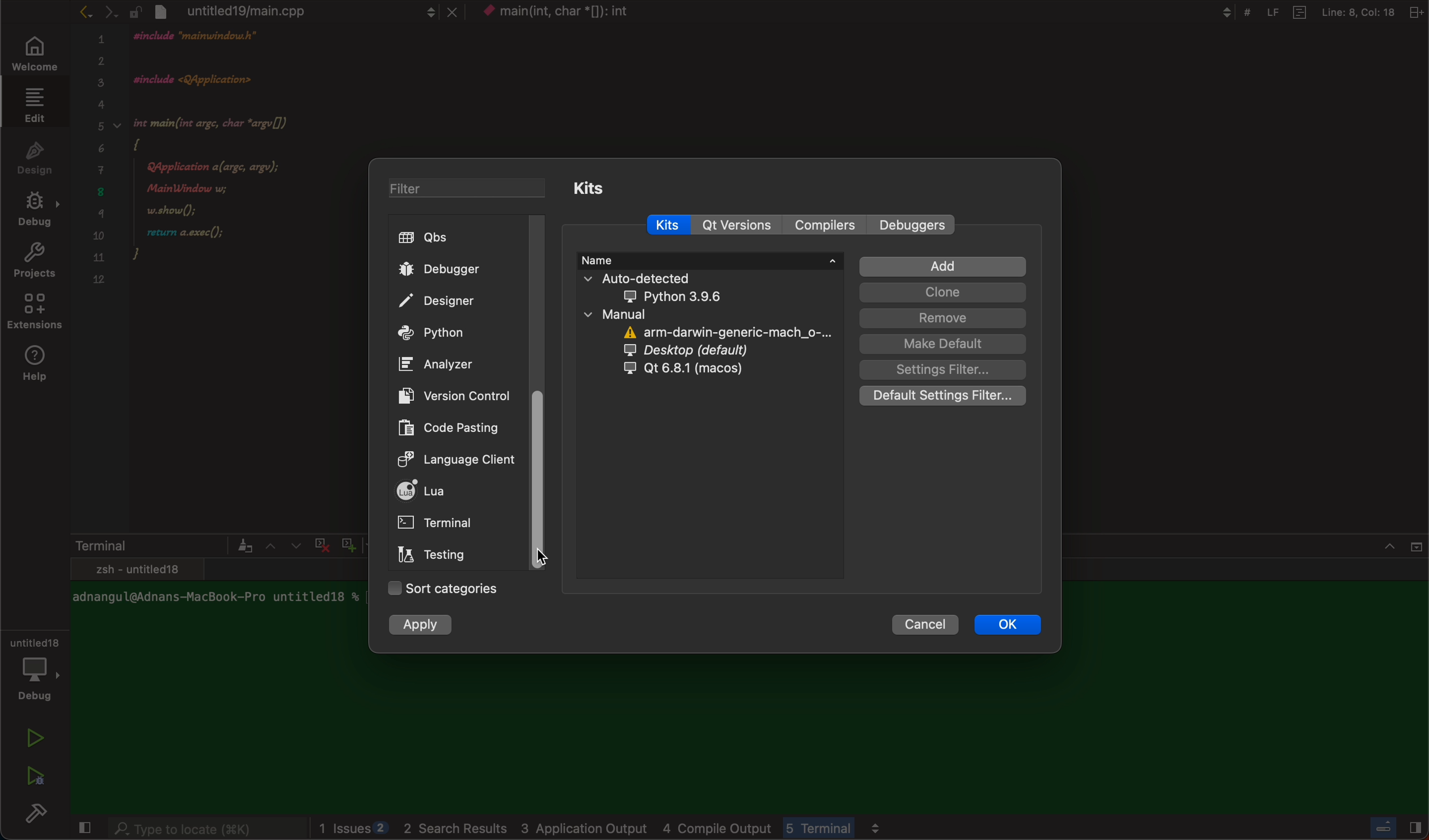 The height and width of the screenshot is (840, 1429). What do you see at coordinates (34, 263) in the screenshot?
I see `projects` at bounding box center [34, 263].